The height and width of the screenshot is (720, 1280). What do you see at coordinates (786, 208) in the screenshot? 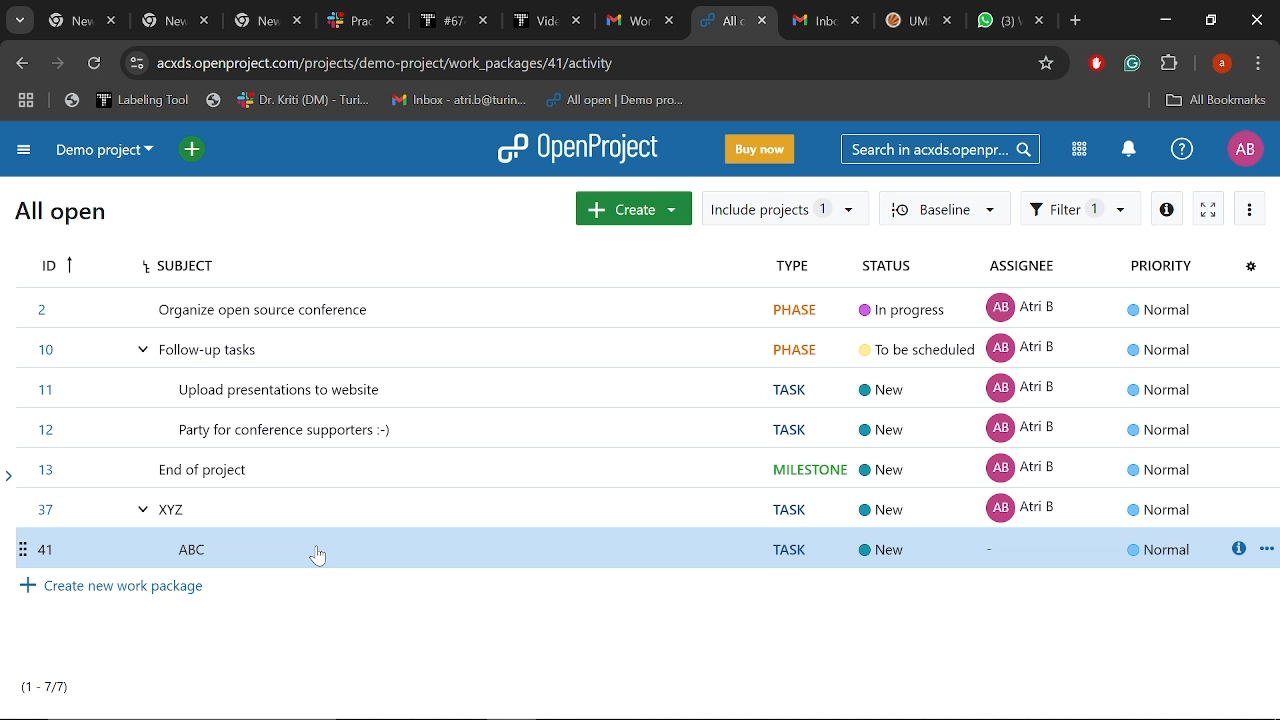
I see `Include projrcts` at bounding box center [786, 208].